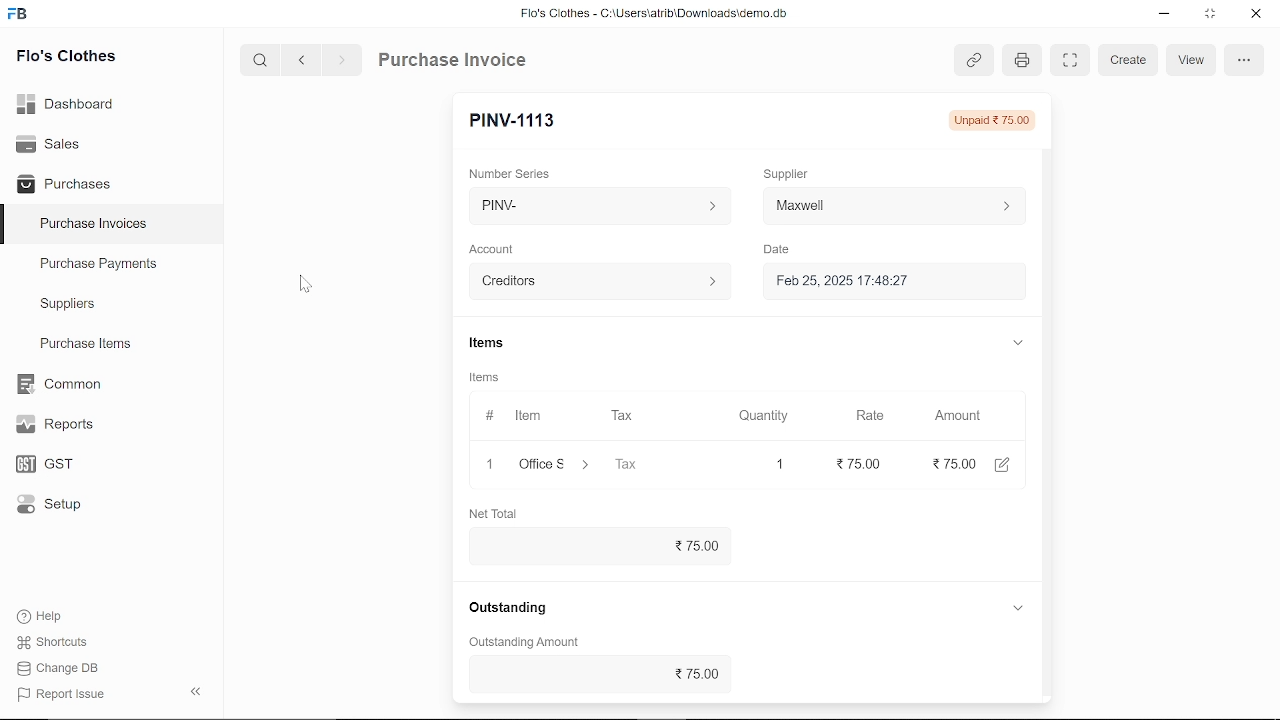  I want to click on creditors, so click(596, 280).